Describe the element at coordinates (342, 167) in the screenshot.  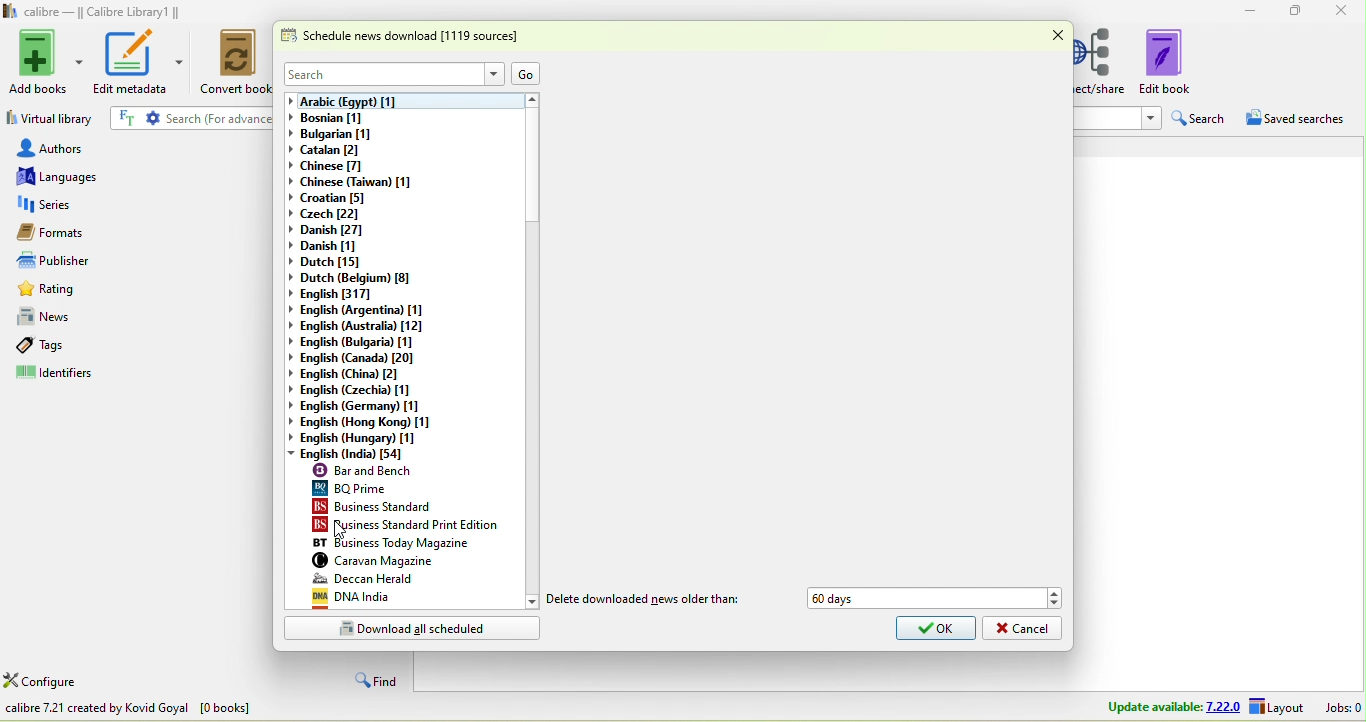
I see `chinese [7]` at that location.